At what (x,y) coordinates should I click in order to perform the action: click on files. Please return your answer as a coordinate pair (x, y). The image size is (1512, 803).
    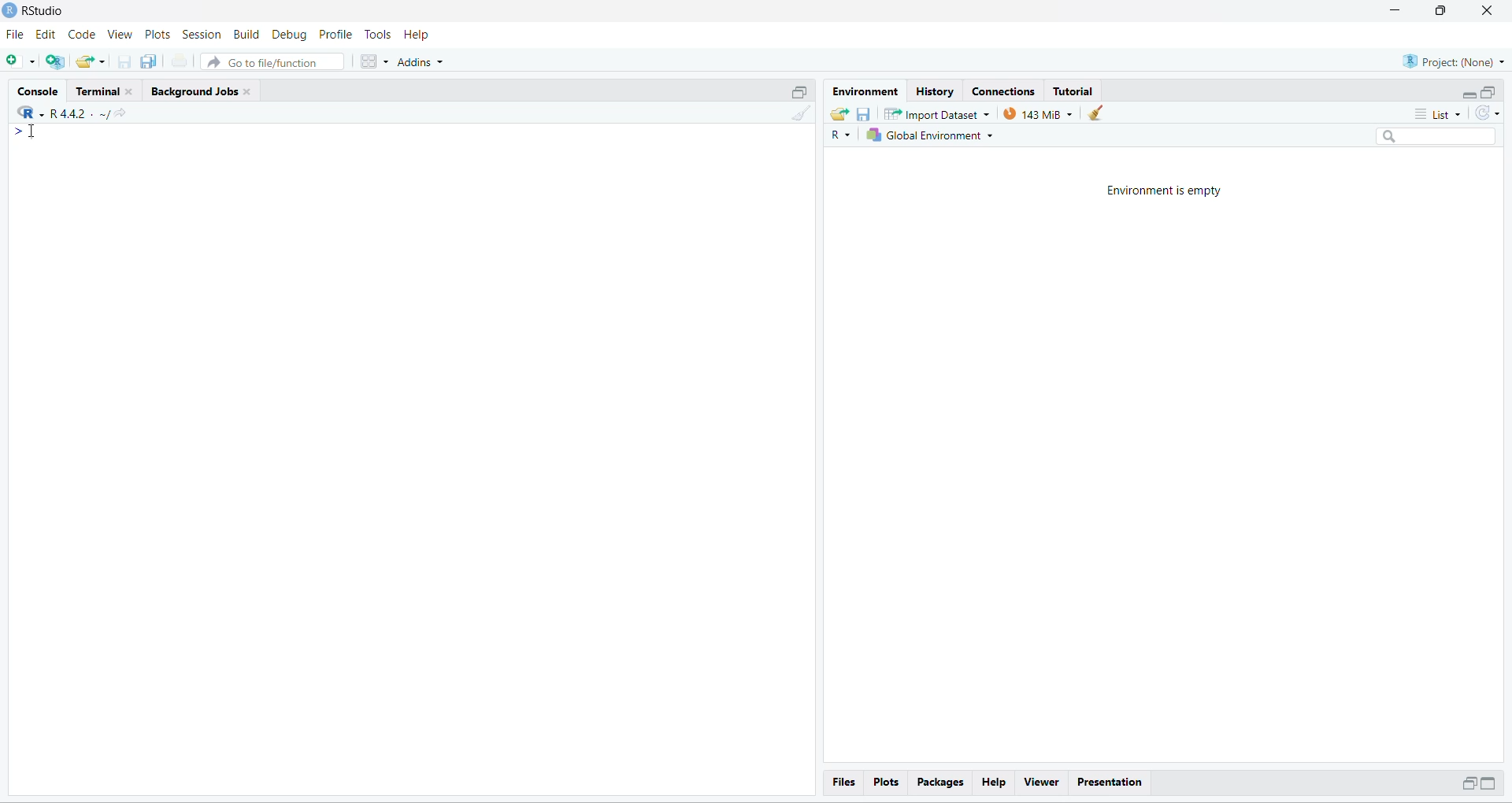
    Looking at the image, I should click on (846, 782).